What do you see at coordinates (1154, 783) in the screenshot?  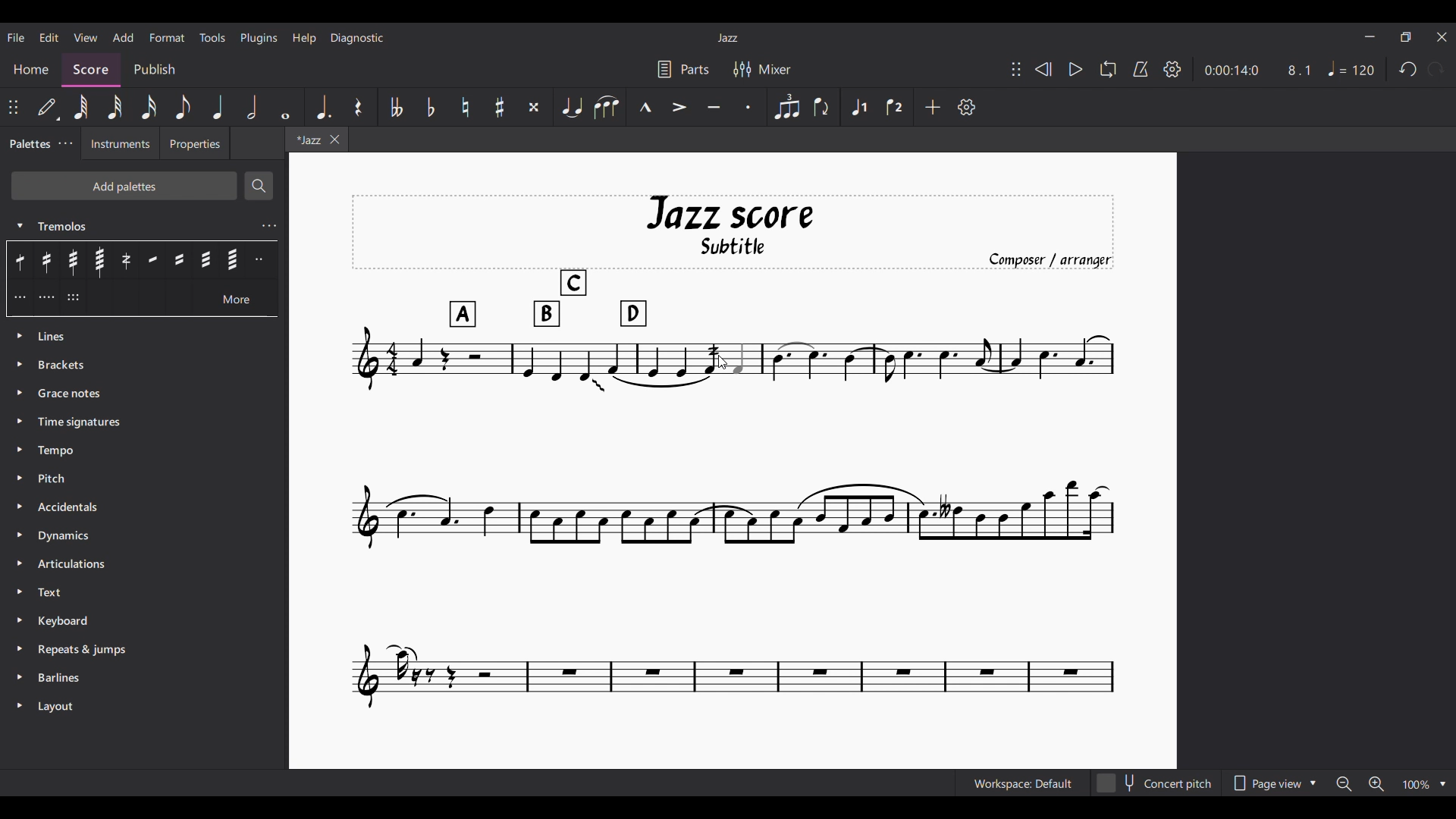 I see `Concert pitch` at bounding box center [1154, 783].